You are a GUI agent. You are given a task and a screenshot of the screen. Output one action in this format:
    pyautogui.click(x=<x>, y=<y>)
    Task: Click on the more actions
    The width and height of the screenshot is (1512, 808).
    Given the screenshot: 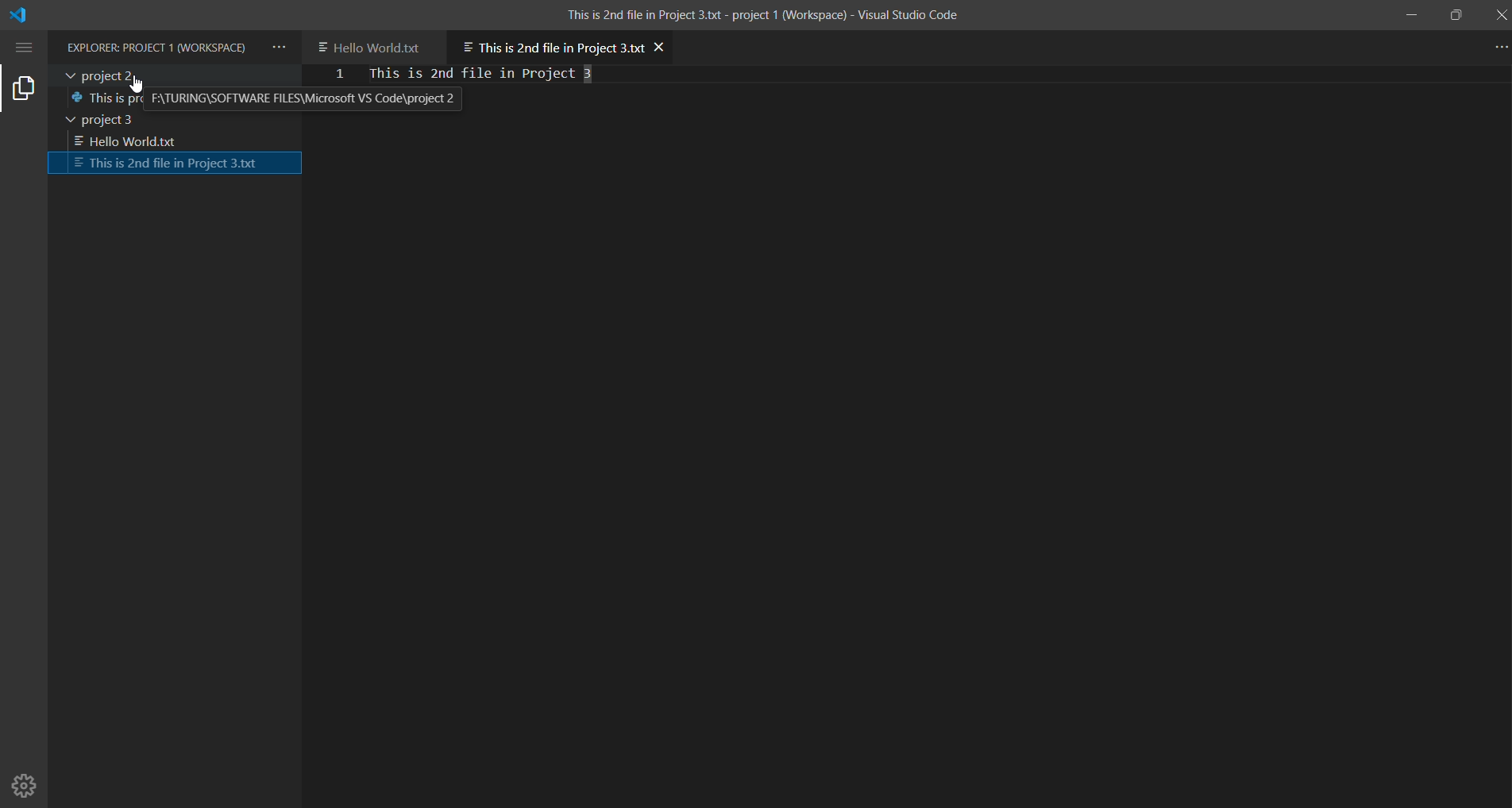 What is the action you would take?
    pyautogui.click(x=1495, y=46)
    